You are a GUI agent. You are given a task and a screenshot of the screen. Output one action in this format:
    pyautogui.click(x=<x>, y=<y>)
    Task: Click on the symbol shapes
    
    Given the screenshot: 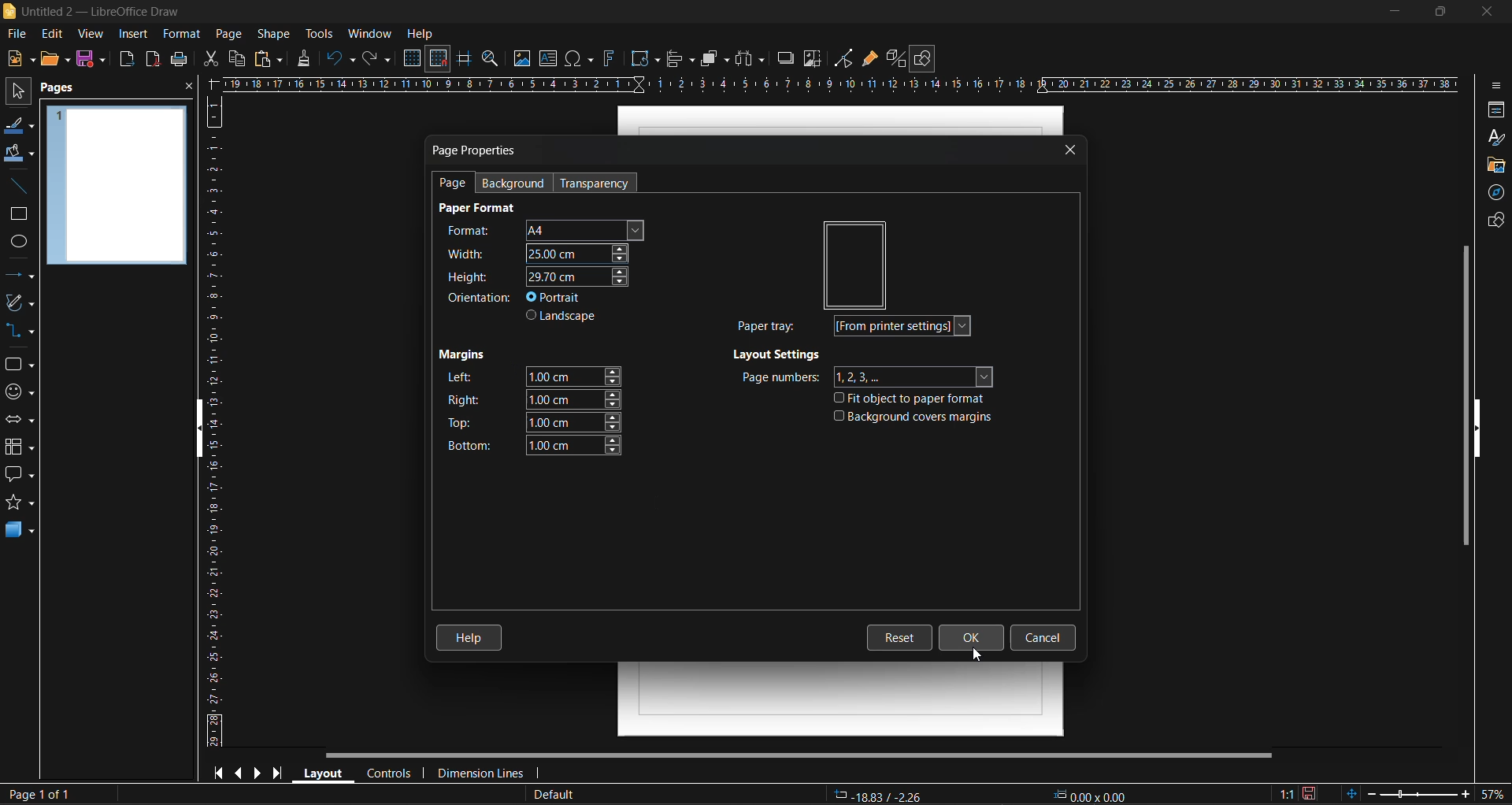 What is the action you would take?
    pyautogui.click(x=22, y=394)
    